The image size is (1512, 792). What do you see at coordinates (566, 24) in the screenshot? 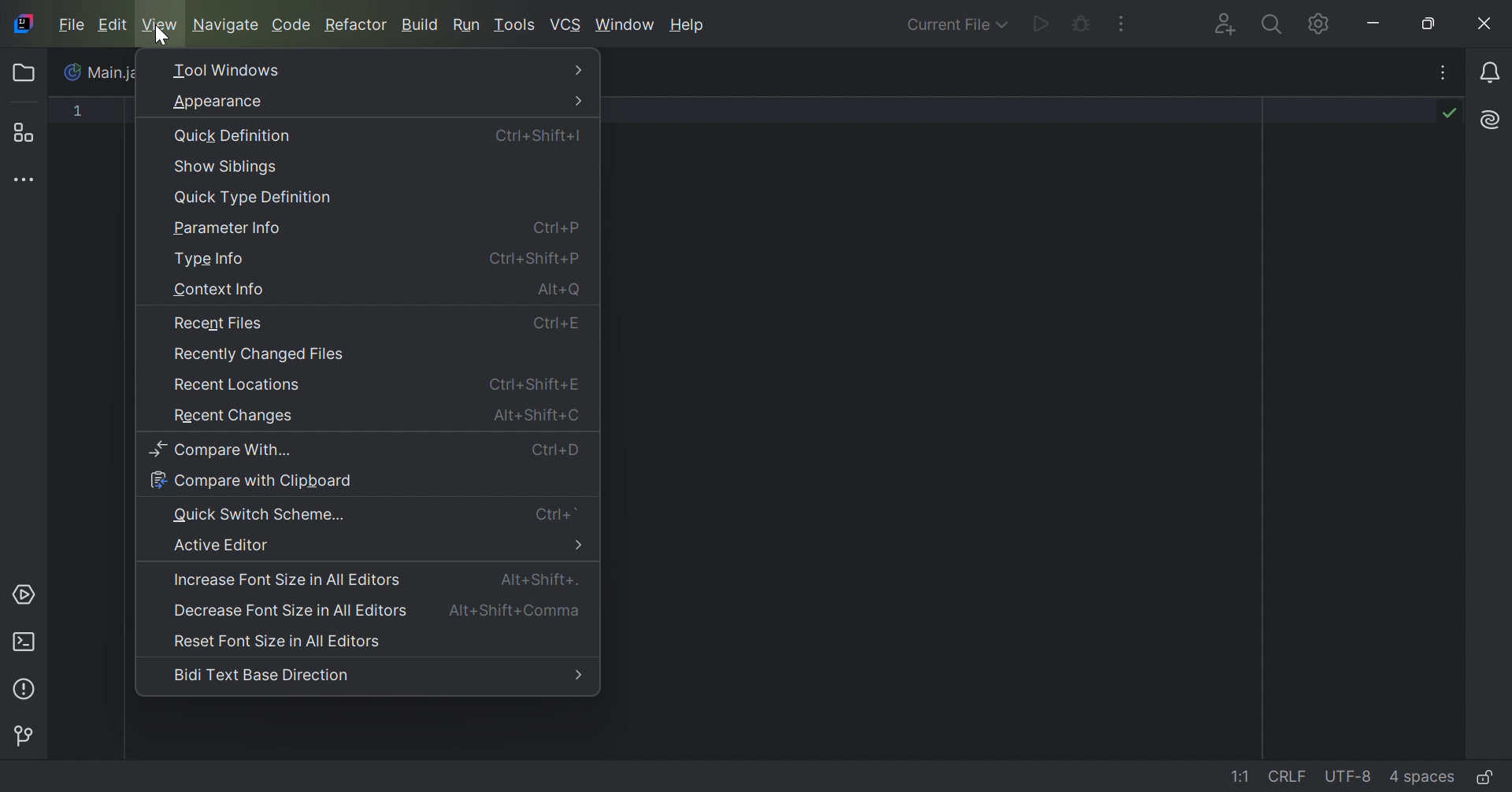
I see `VCS` at bounding box center [566, 24].